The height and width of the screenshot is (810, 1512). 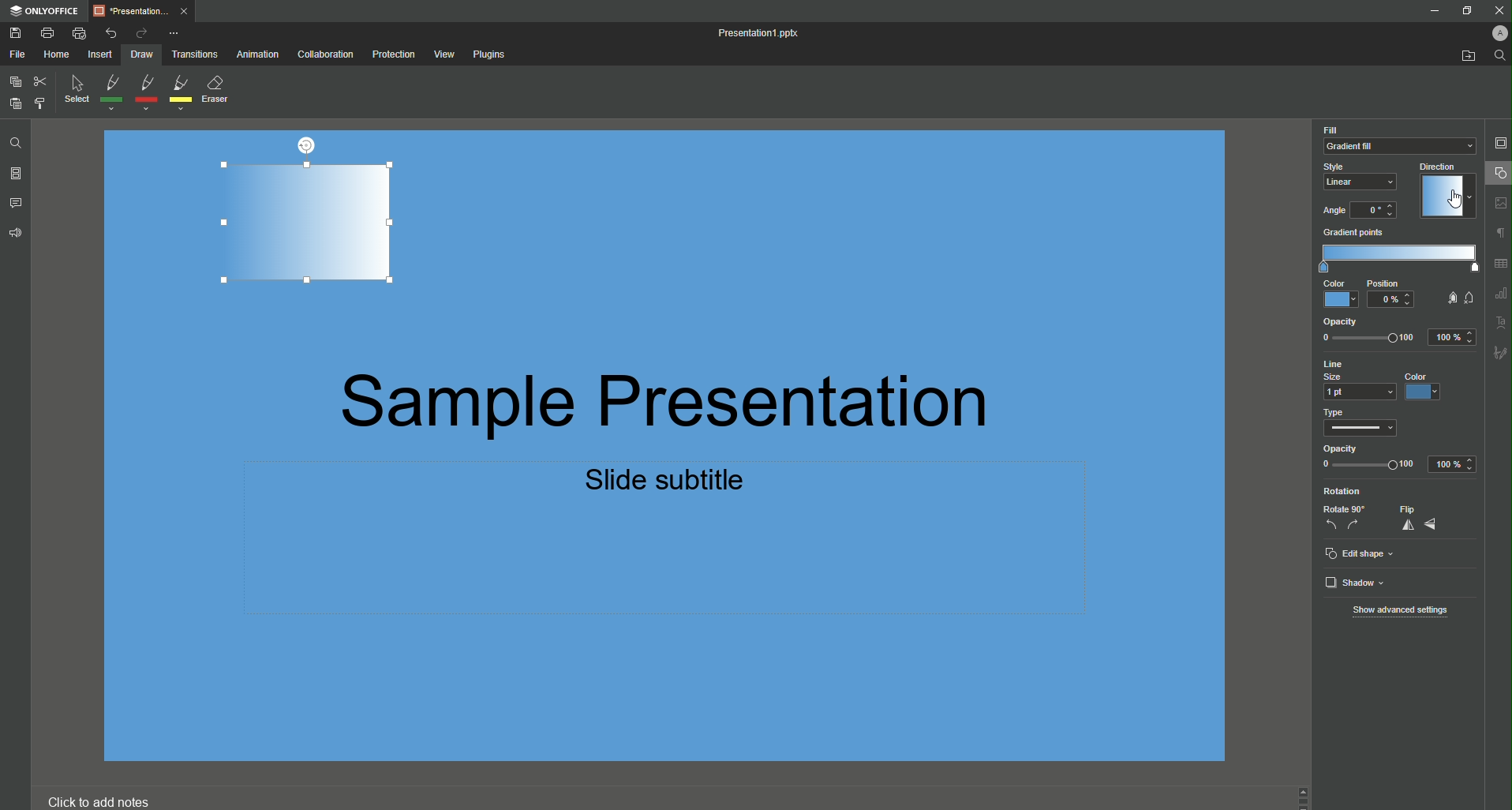 What do you see at coordinates (1352, 583) in the screenshot?
I see `Shadow` at bounding box center [1352, 583].